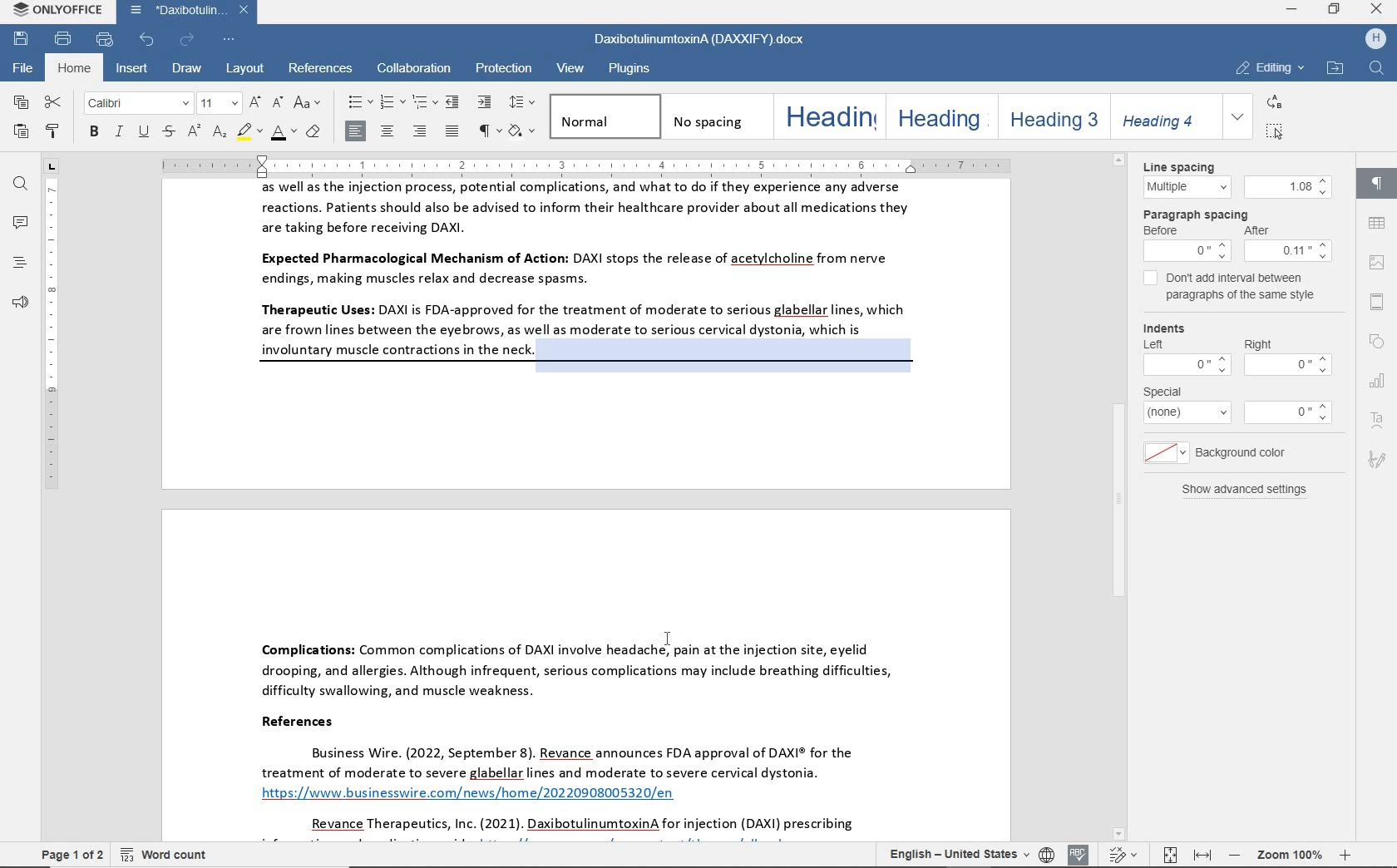 The height and width of the screenshot is (868, 1397). Describe the element at coordinates (1233, 178) in the screenshot. I see `line spacing` at that location.